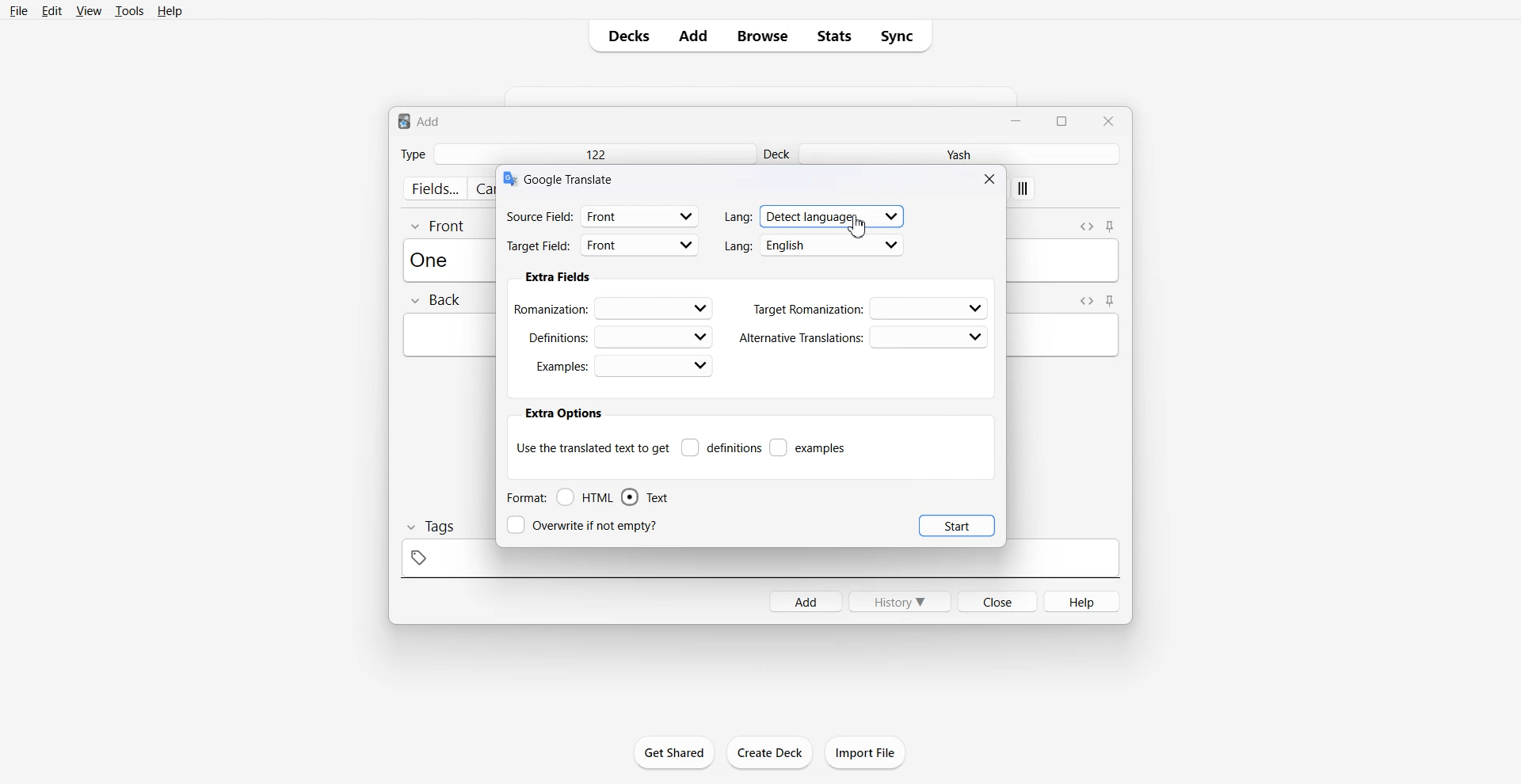  I want to click on View, so click(87, 10).